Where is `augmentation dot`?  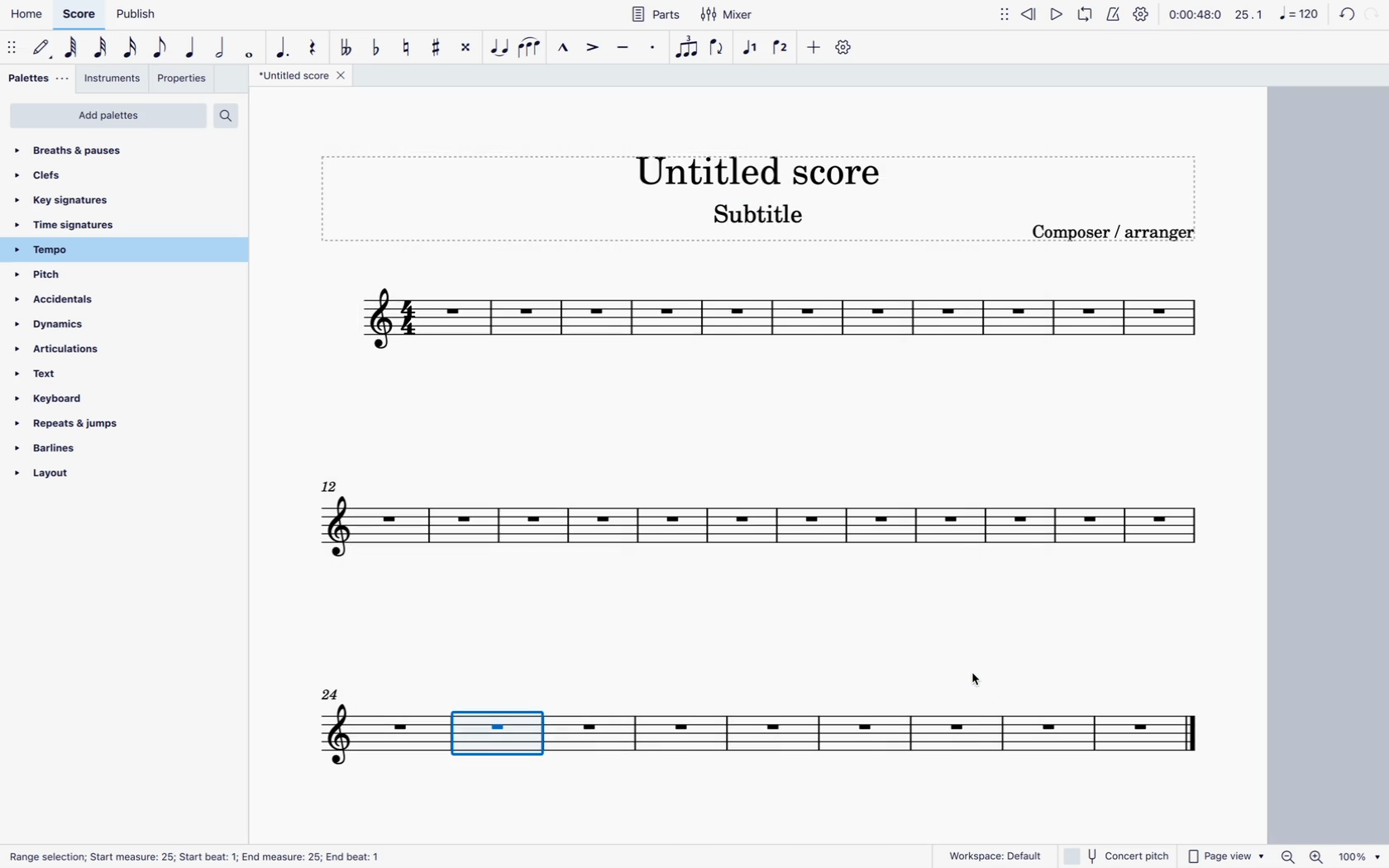
augmentation dot is located at coordinates (283, 48).